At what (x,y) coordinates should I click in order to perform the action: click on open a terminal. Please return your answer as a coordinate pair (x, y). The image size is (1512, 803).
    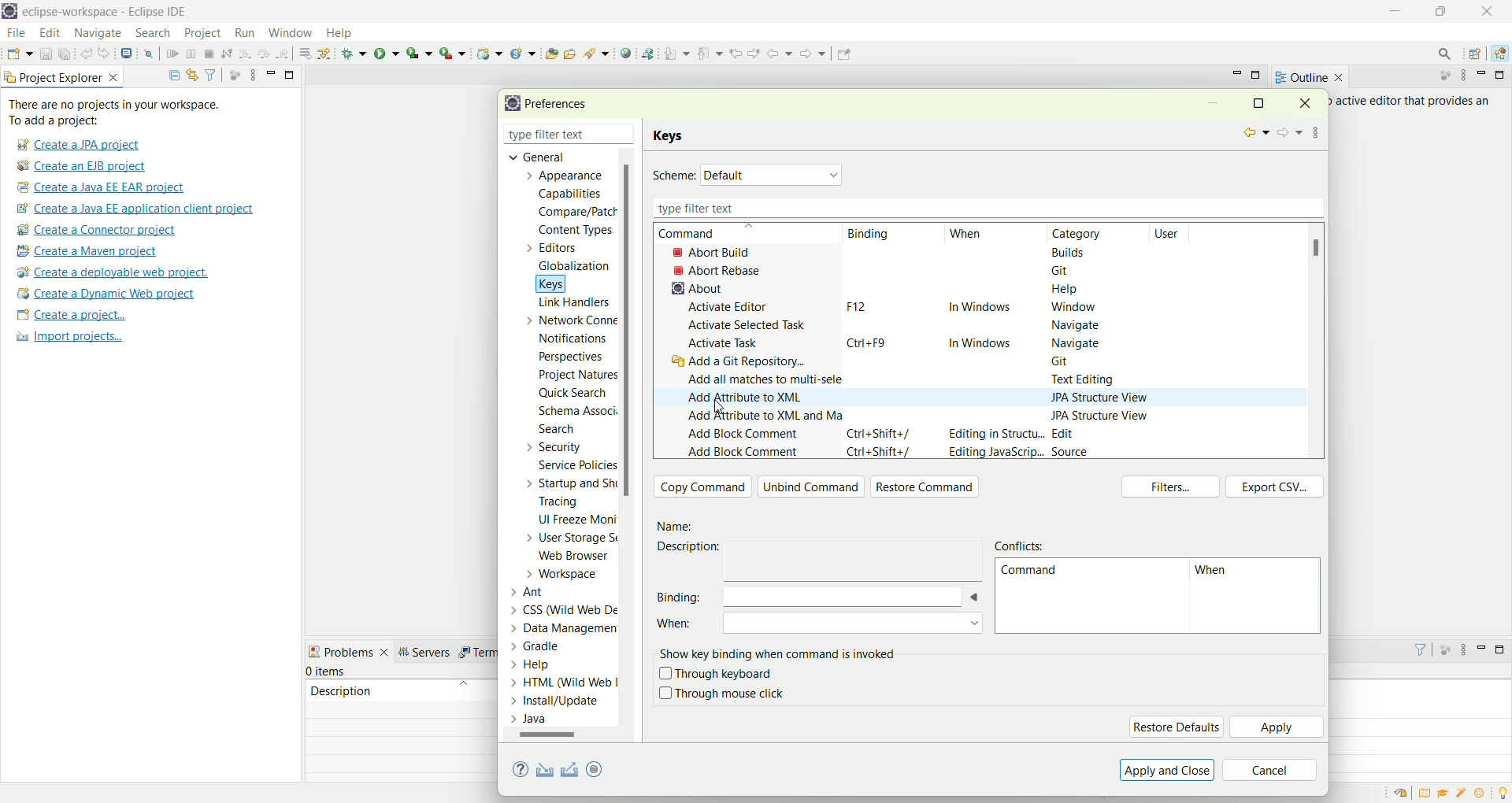
    Looking at the image, I should click on (125, 54).